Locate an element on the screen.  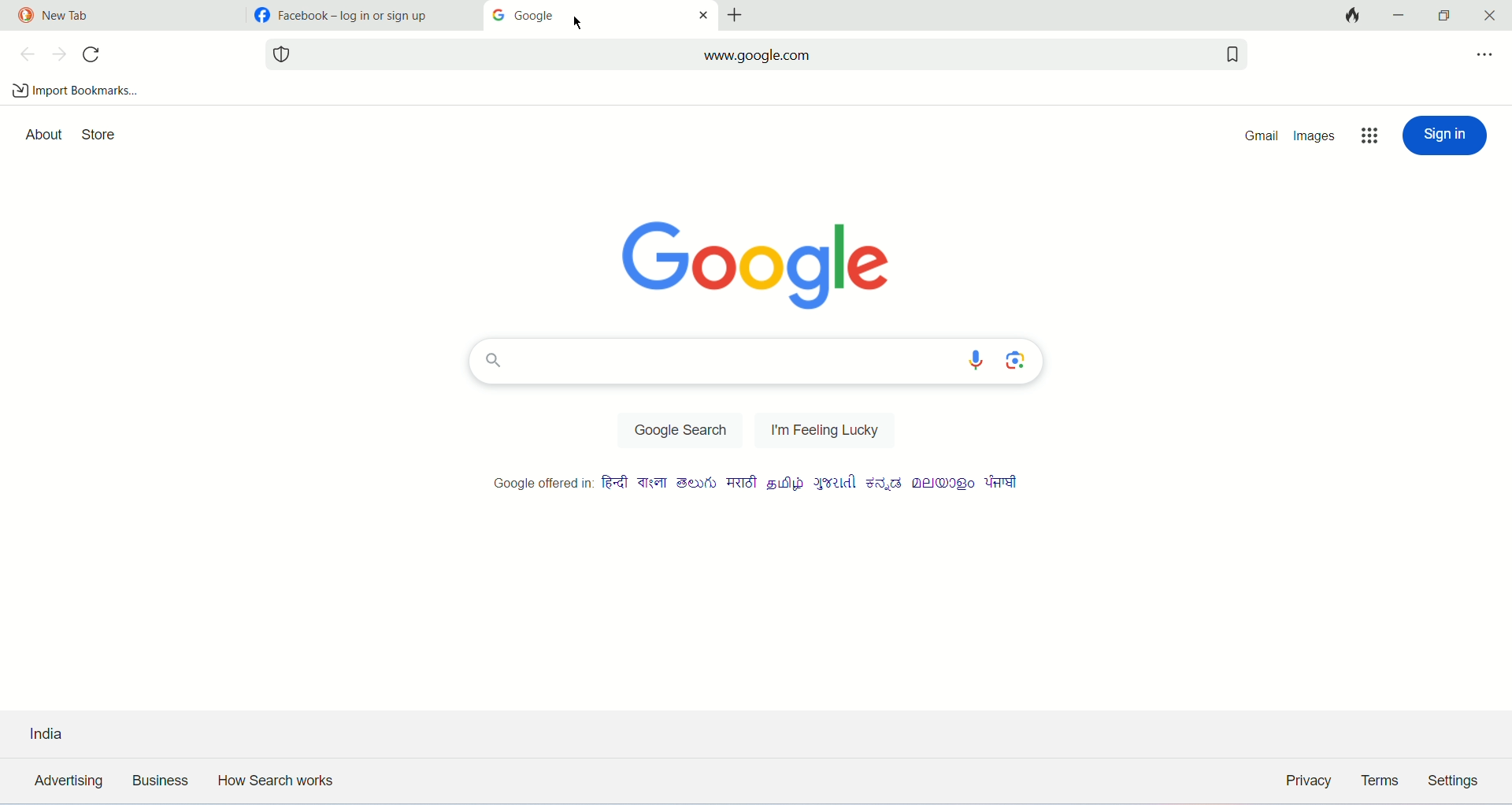
advertising is located at coordinates (65, 783).